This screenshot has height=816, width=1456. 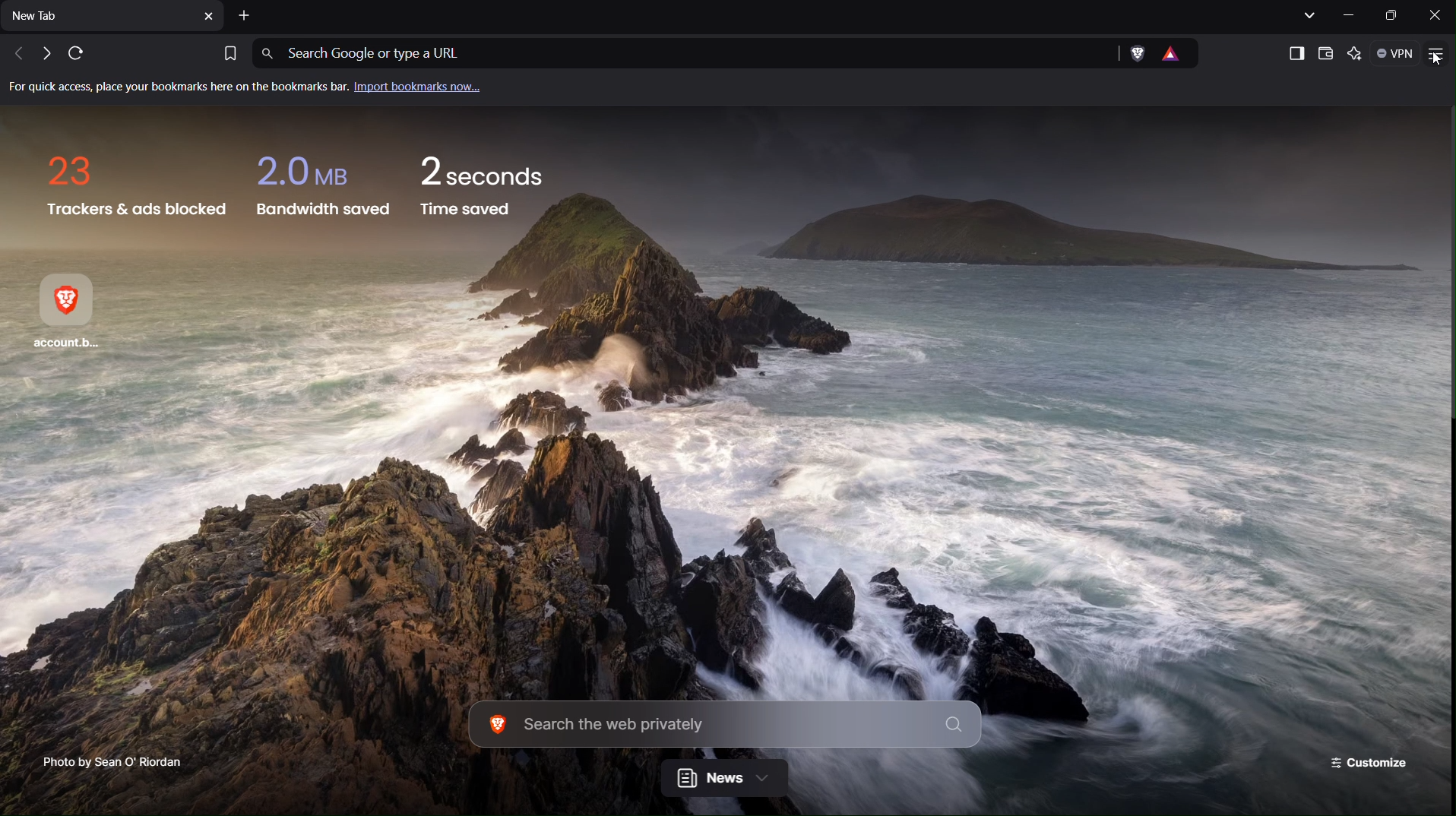 I want to click on Address bar, so click(x=679, y=54).